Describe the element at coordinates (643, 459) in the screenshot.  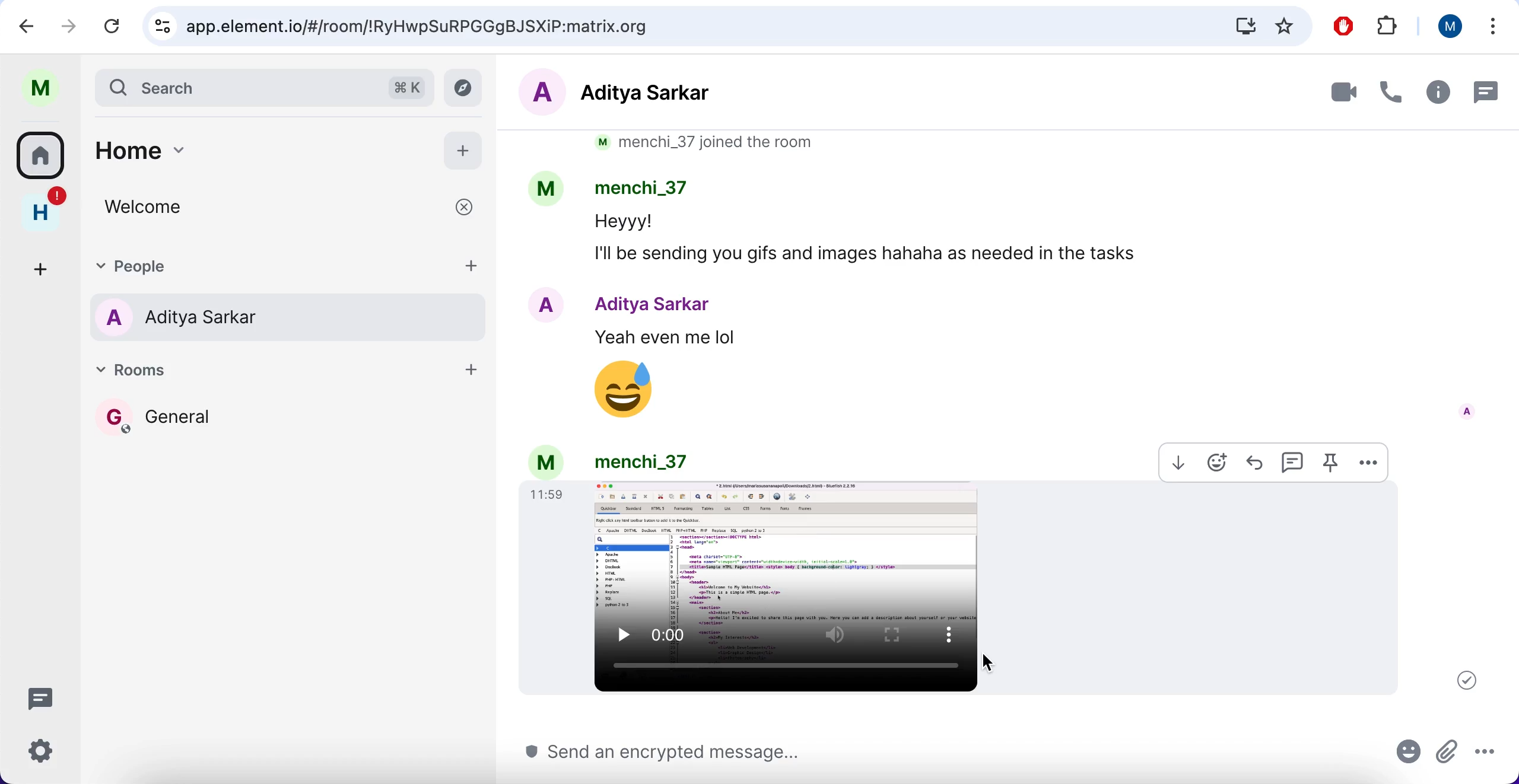
I see `menchi_37` at that location.